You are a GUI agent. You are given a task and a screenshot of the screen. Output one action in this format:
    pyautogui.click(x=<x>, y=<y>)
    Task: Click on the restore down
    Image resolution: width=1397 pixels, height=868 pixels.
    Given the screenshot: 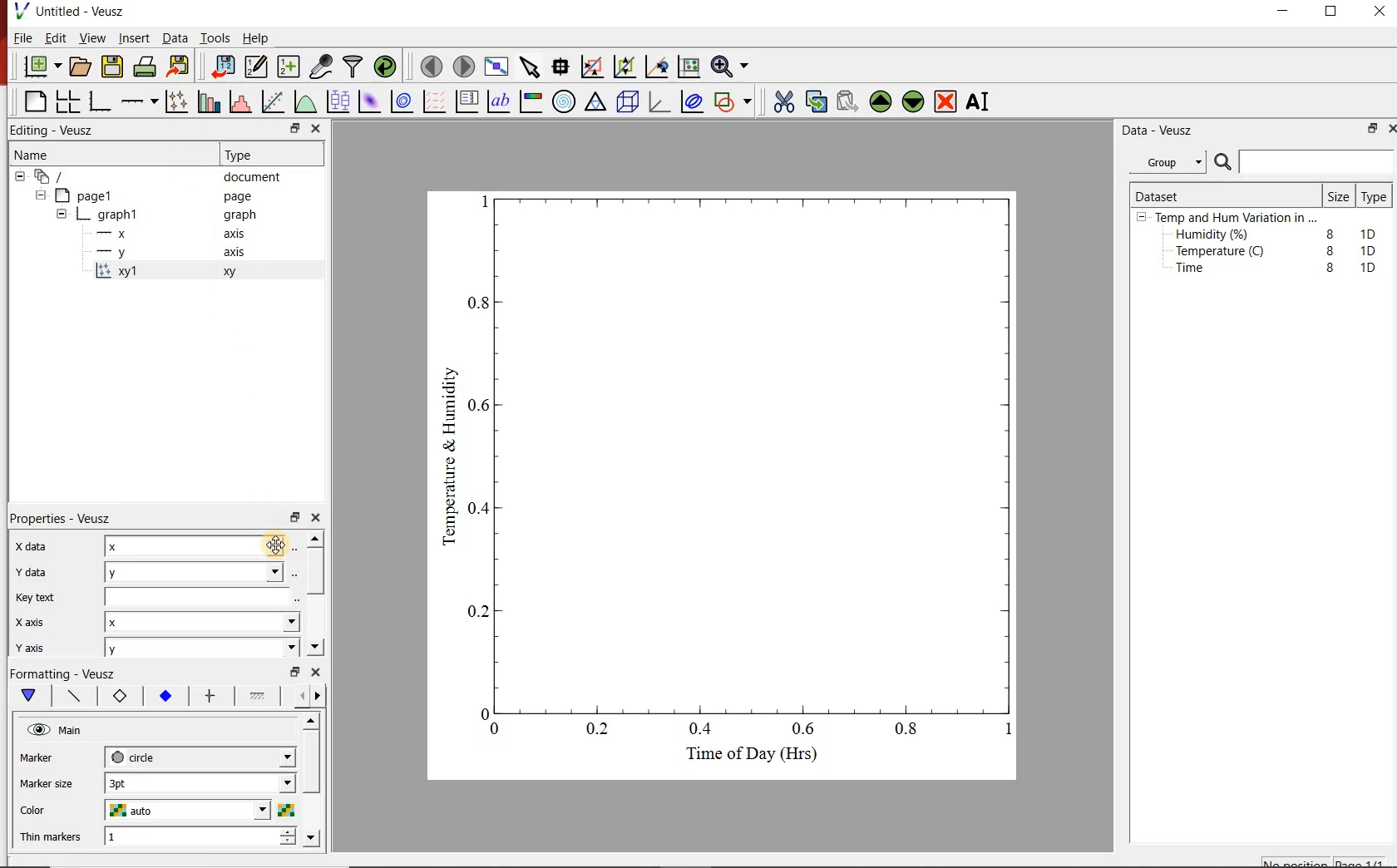 What is the action you would take?
    pyautogui.click(x=292, y=672)
    